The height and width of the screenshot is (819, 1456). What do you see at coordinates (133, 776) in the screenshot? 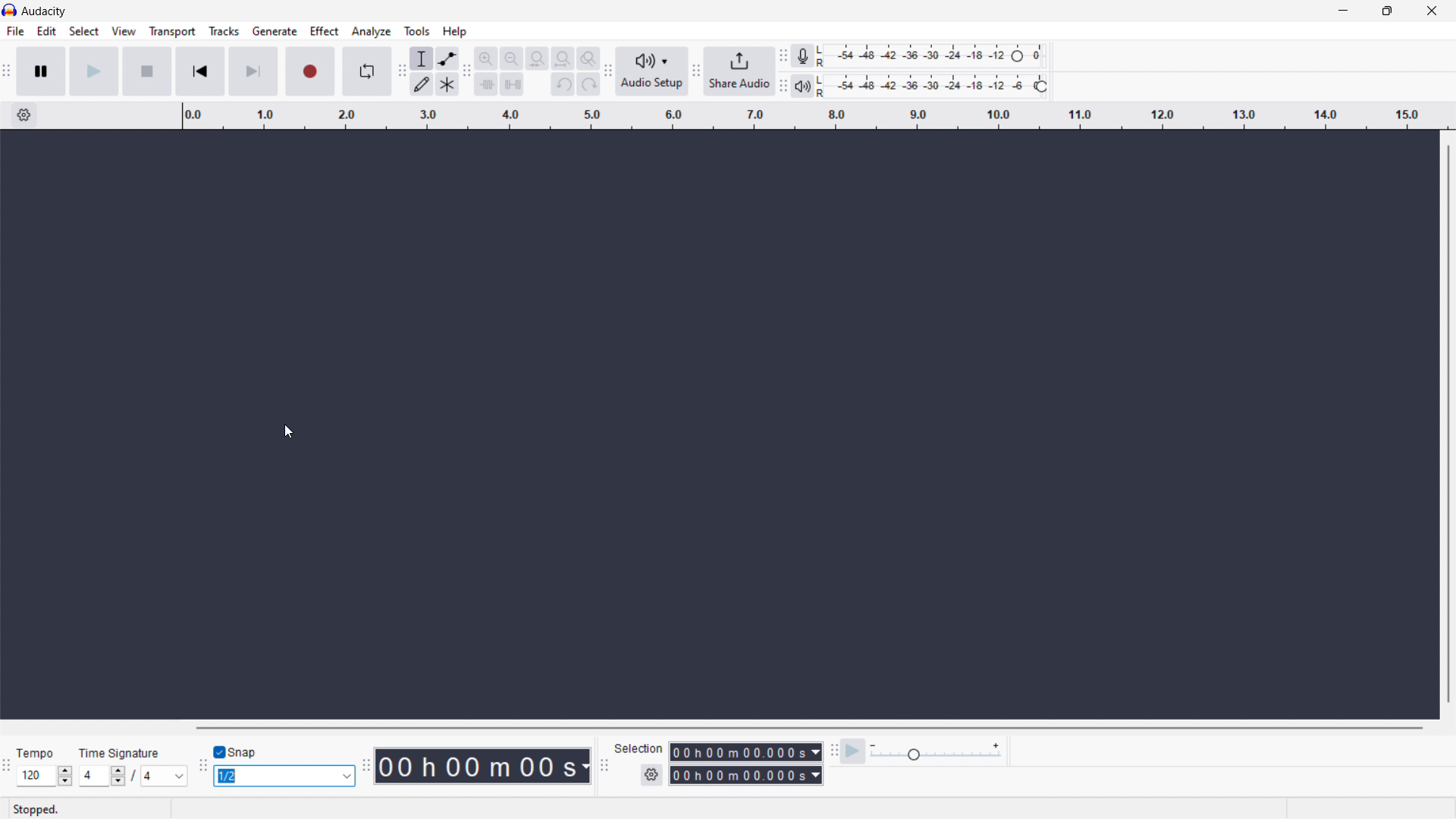
I see `time signature` at bounding box center [133, 776].